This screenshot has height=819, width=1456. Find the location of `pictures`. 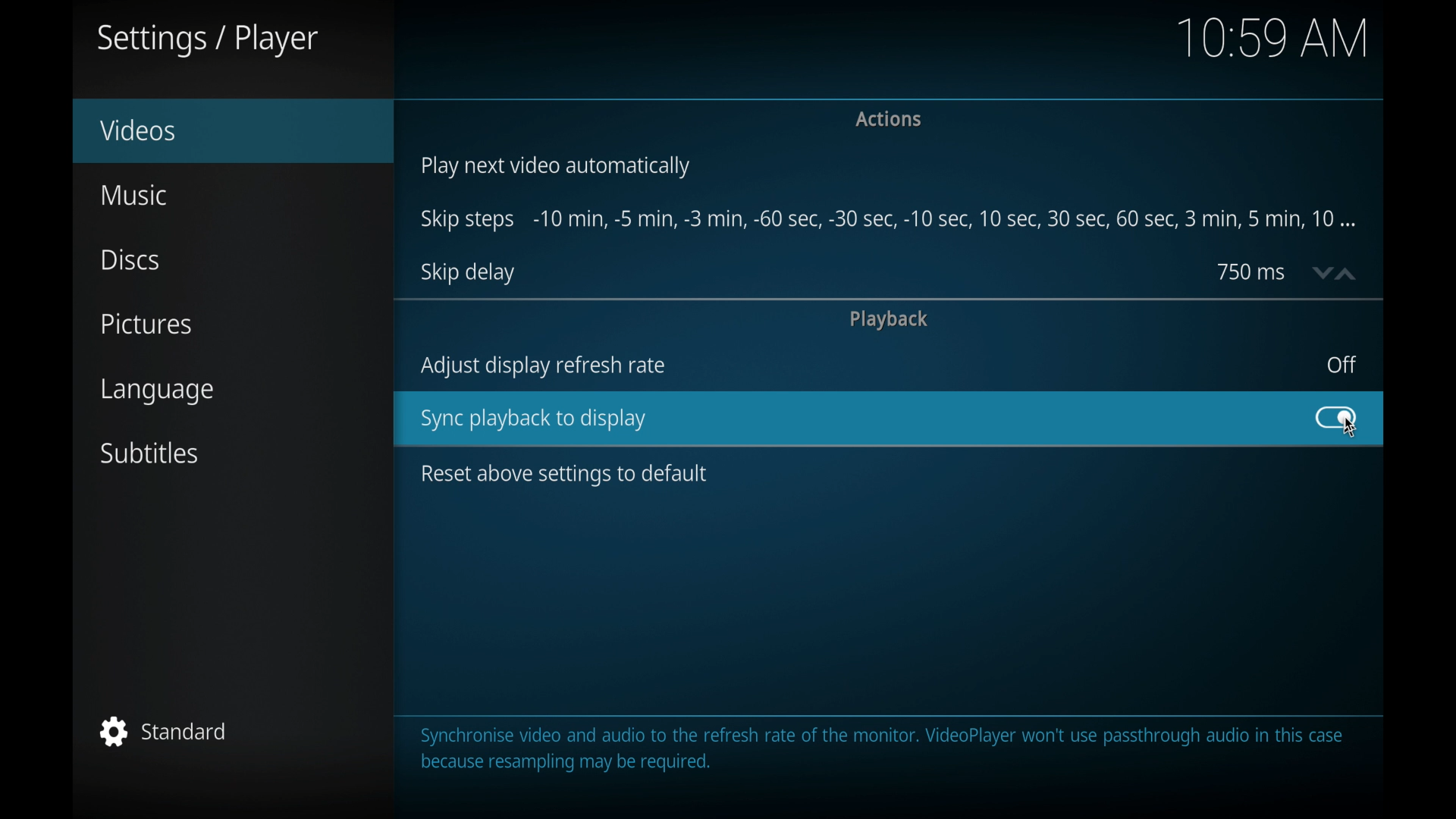

pictures is located at coordinates (146, 325).